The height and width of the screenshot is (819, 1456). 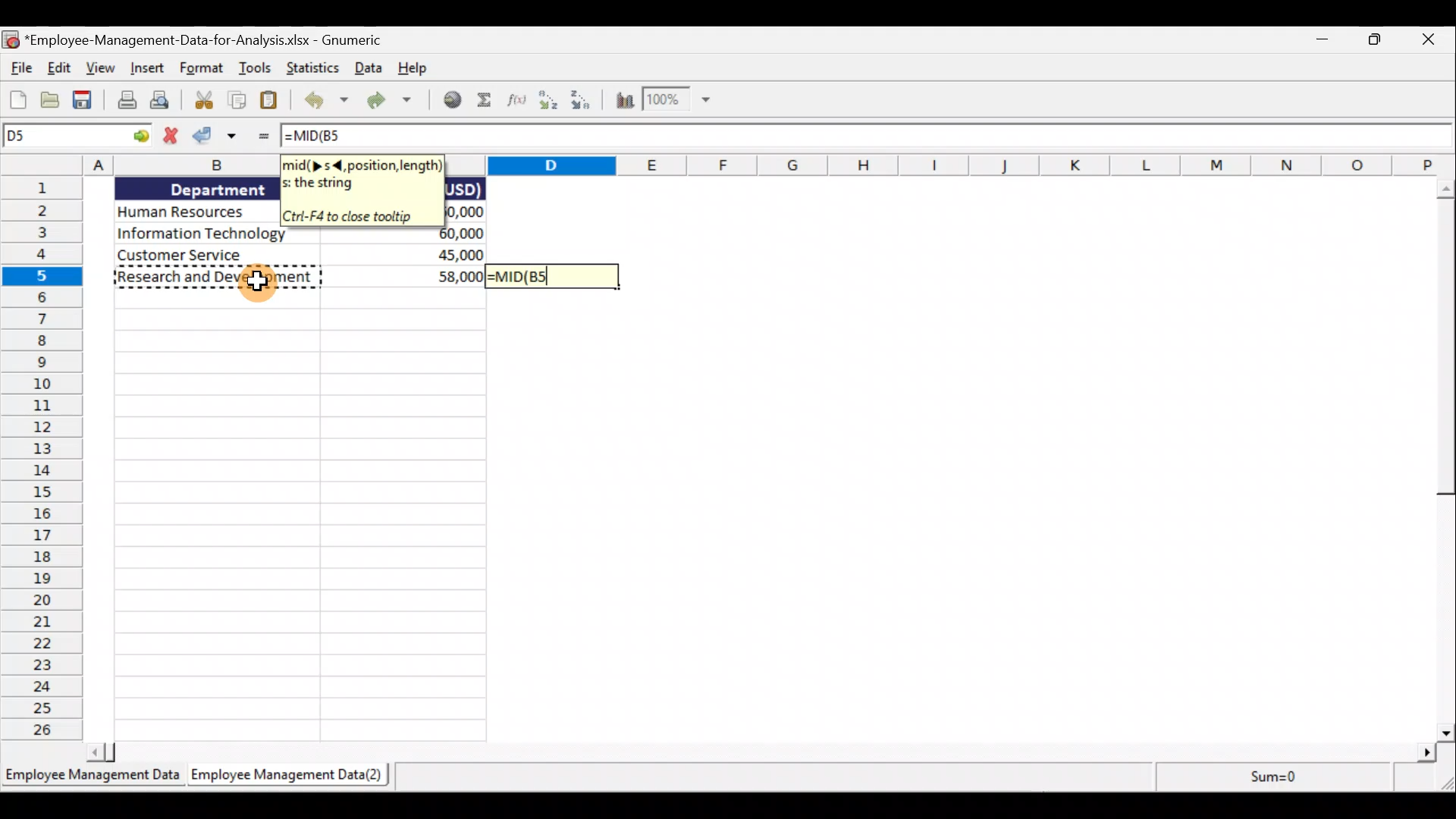 I want to click on Print the current file, so click(x=124, y=101).